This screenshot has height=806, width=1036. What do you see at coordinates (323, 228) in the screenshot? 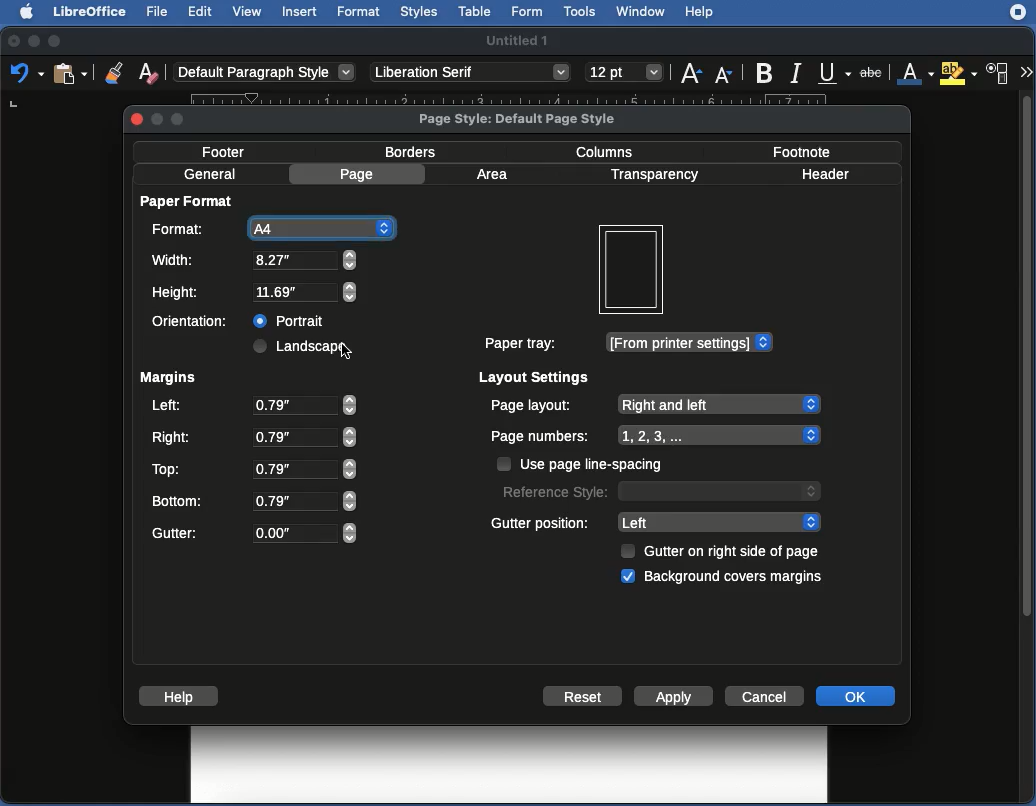
I see `A4` at bounding box center [323, 228].